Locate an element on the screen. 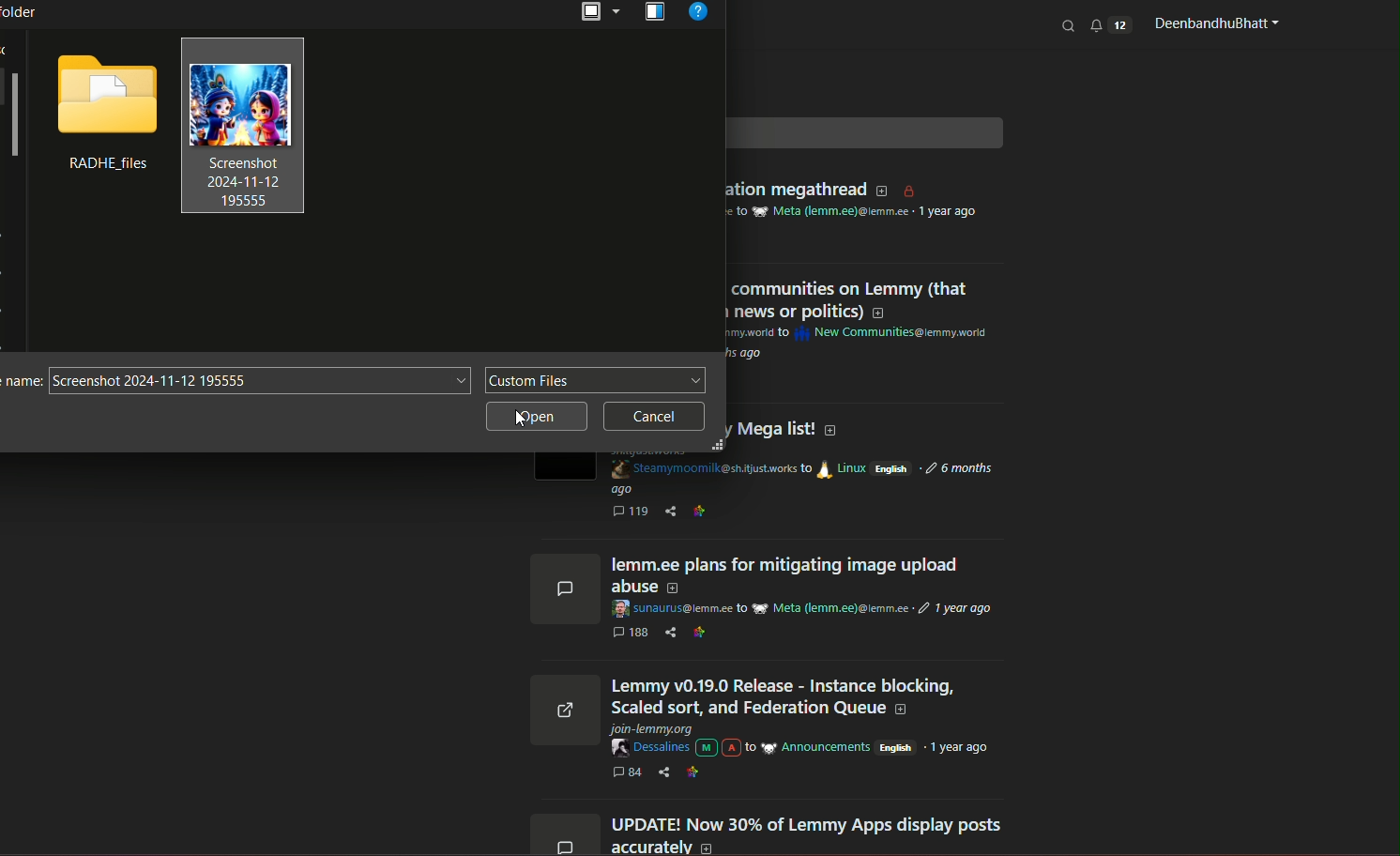 The width and height of the screenshot is (1400, 856). visual is located at coordinates (655, 13).